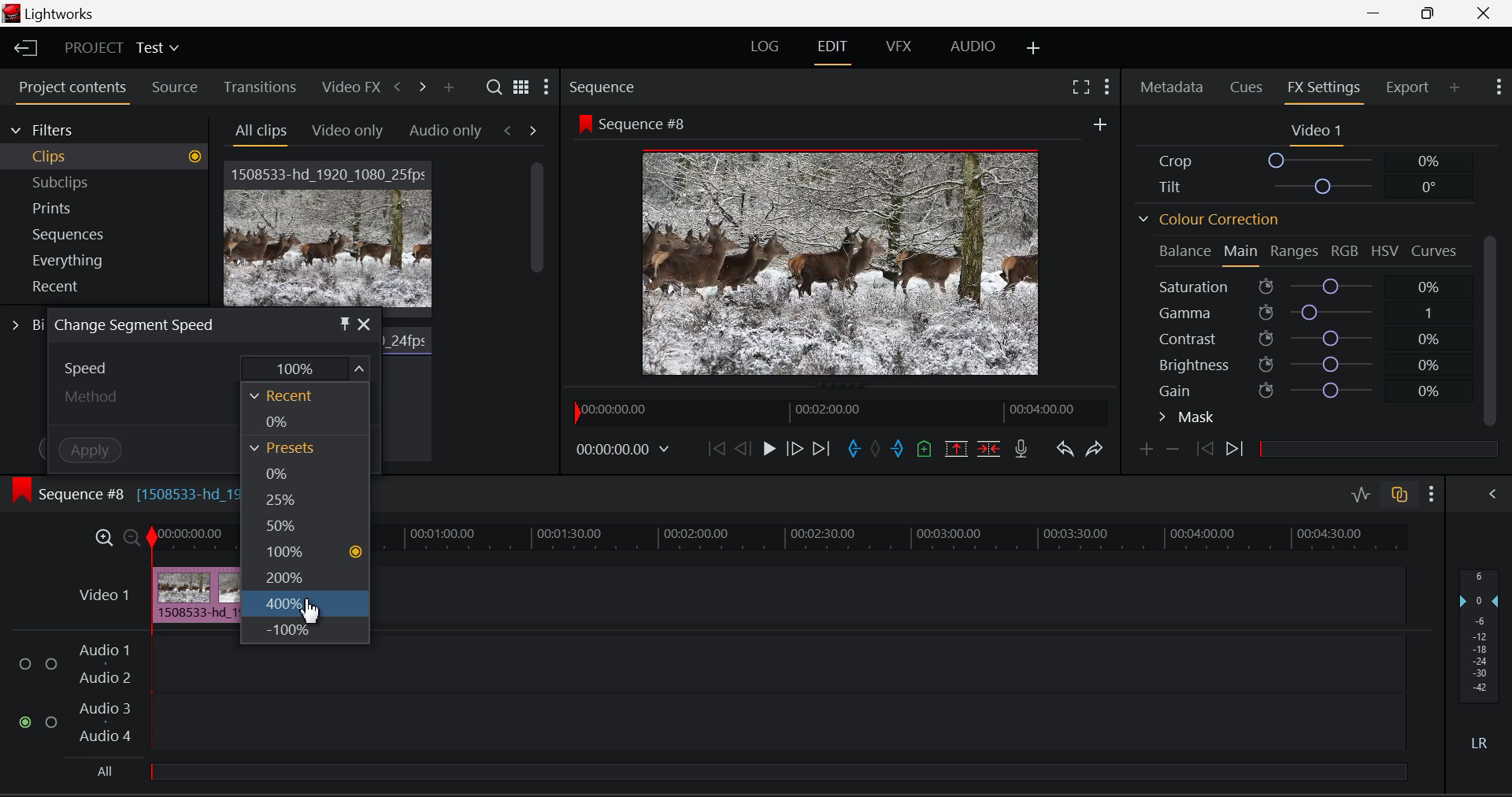 The height and width of the screenshot is (797, 1512). I want to click on Video Only, so click(345, 128).